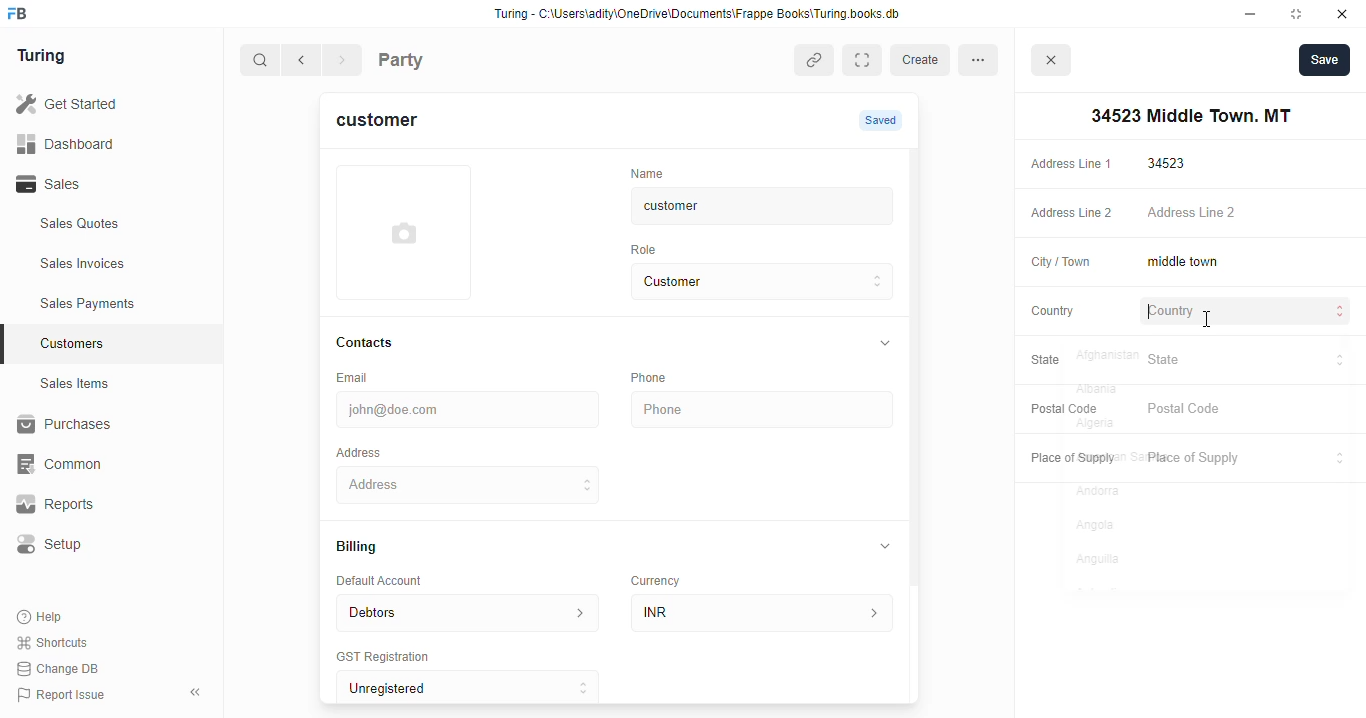 The width and height of the screenshot is (1366, 718). Describe the element at coordinates (195, 692) in the screenshot. I see `collpase` at that location.